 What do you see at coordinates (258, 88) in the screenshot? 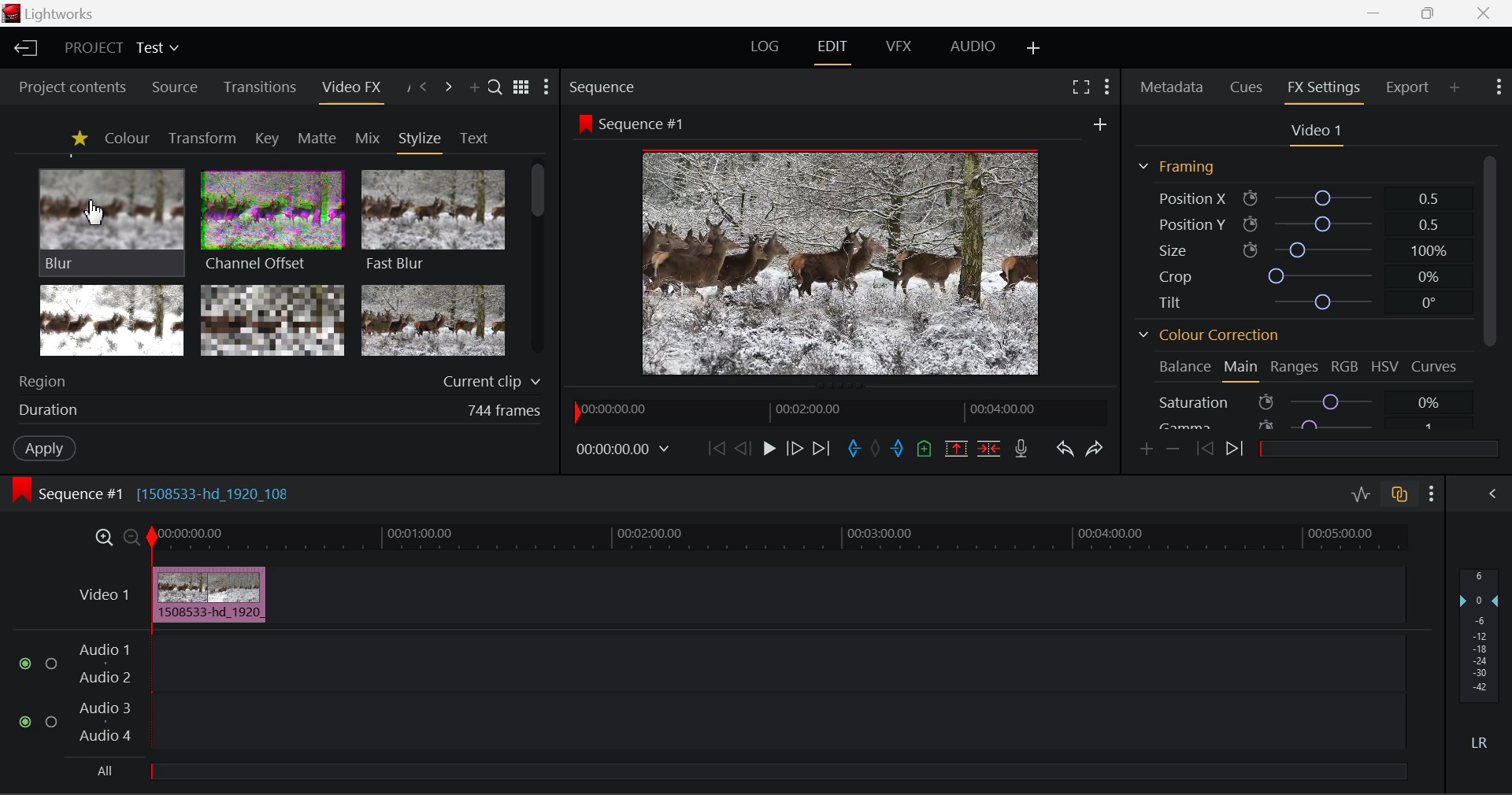
I see `Transitions` at bounding box center [258, 88].